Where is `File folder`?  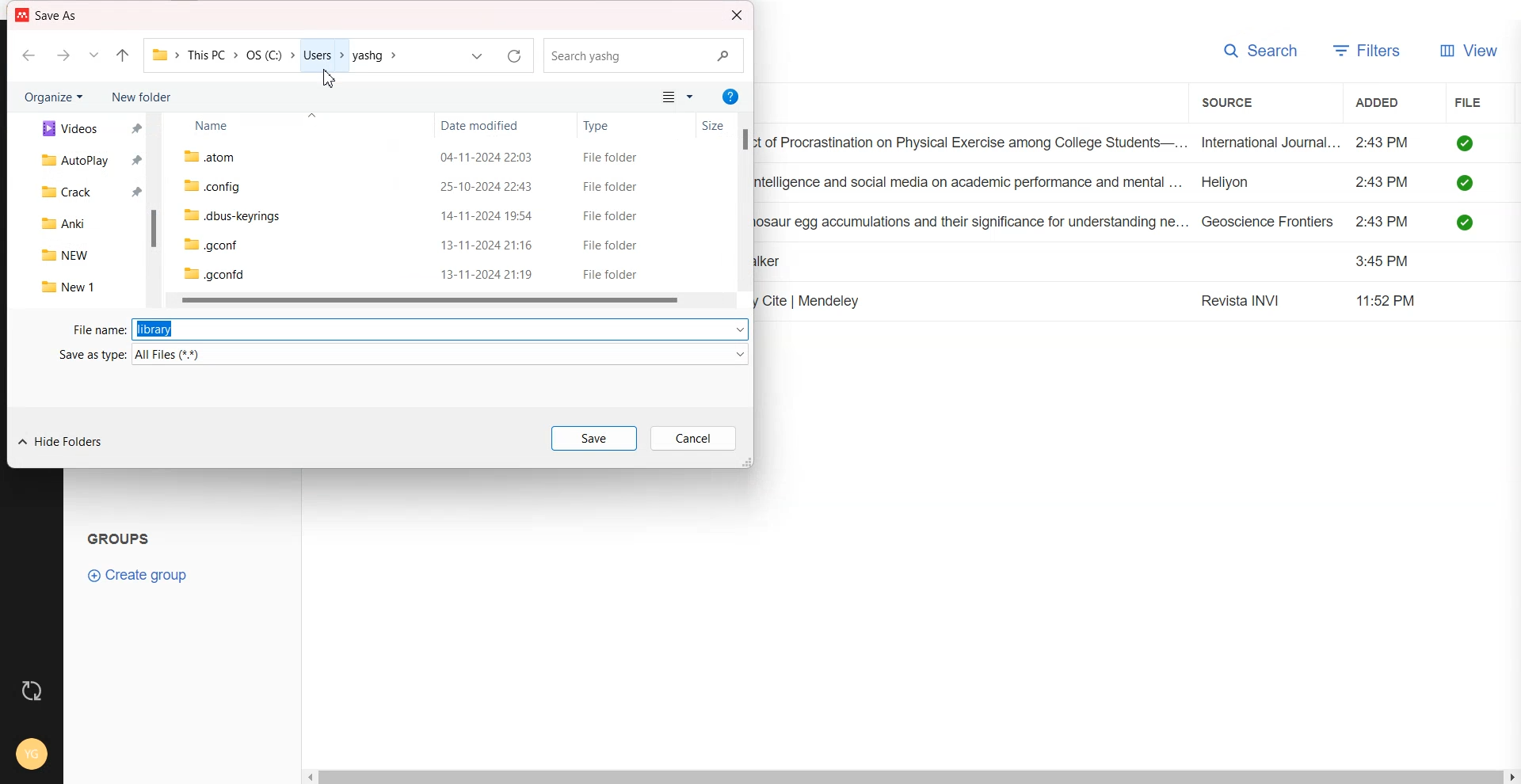
File folder is located at coordinates (610, 245).